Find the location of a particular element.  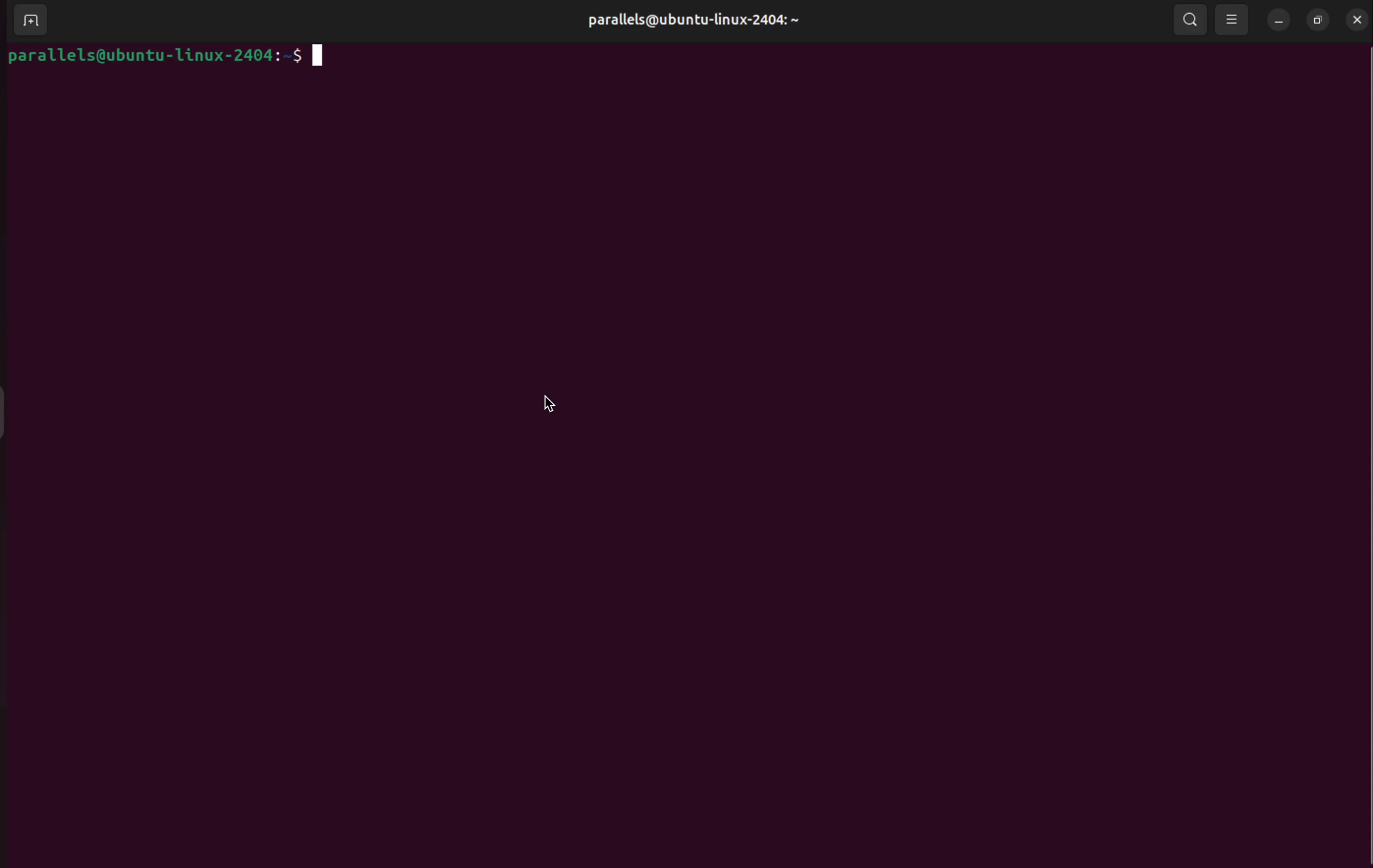

cursor is located at coordinates (548, 404).